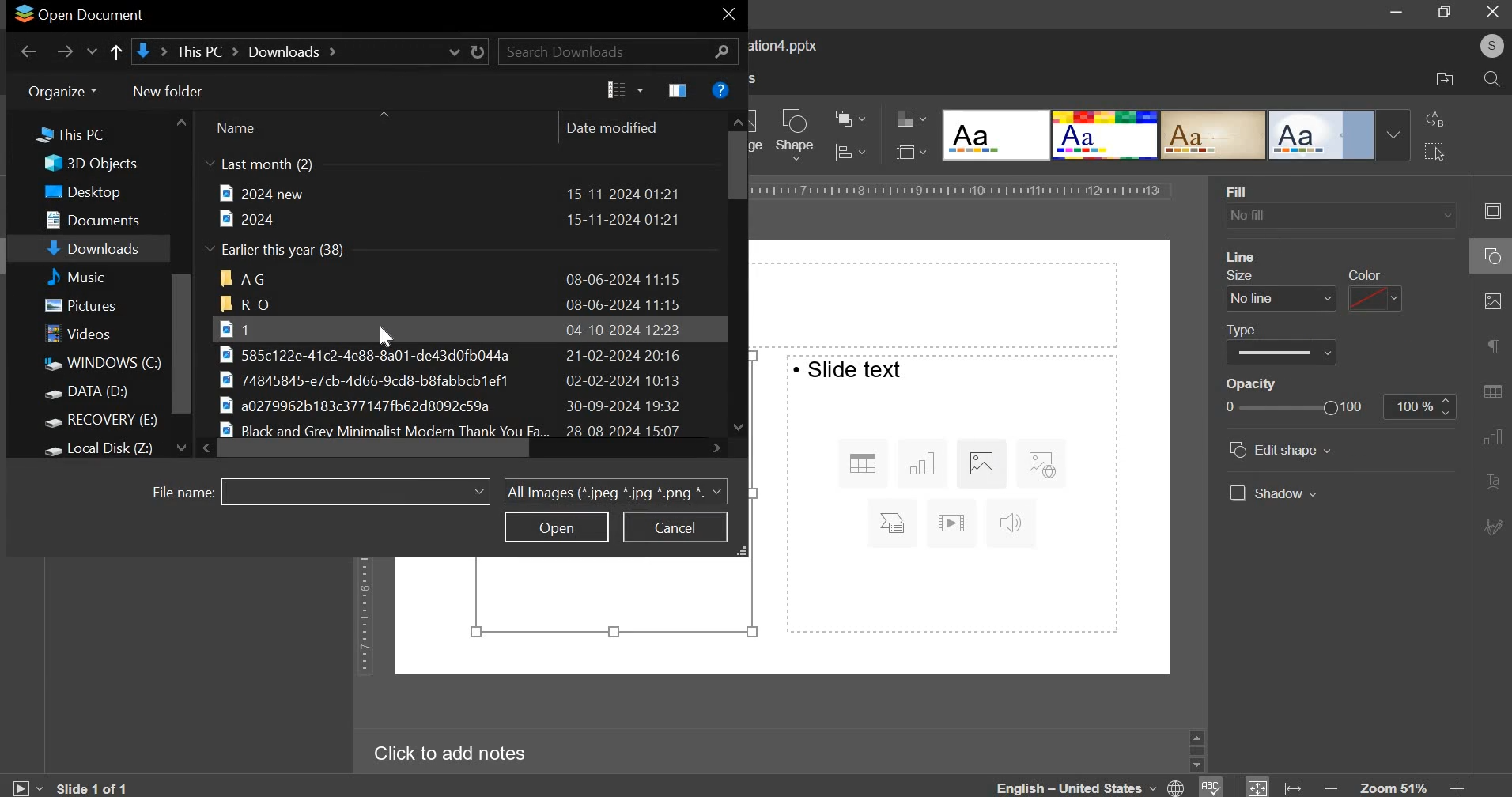 This screenshot has height=797, width=1512. Describe the element at coordinates (615, 490) in the screenshot. I see `file type` at that location.